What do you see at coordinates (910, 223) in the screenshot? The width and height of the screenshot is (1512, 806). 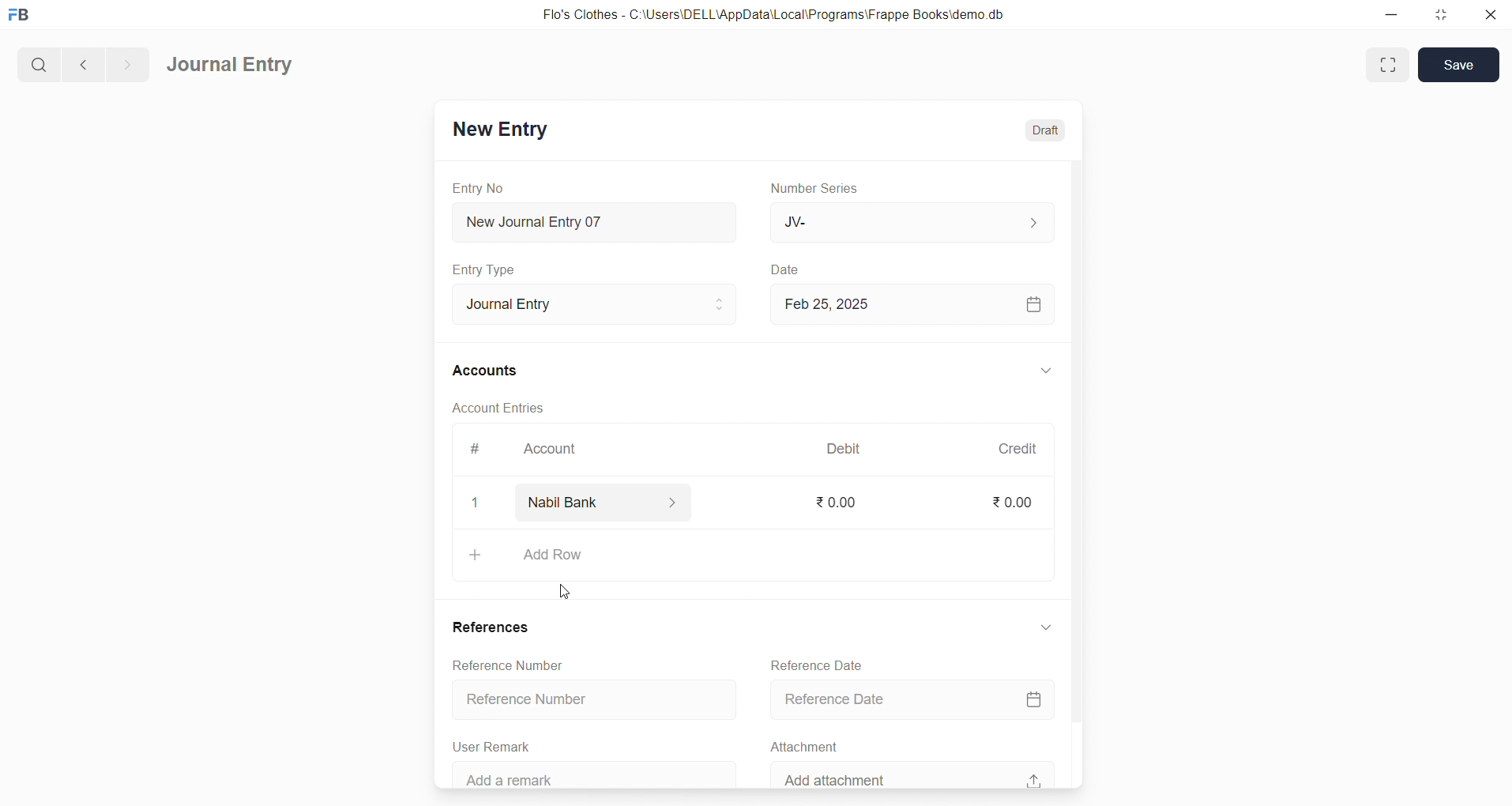 I see `JV-` at bounding box center [910, 223].